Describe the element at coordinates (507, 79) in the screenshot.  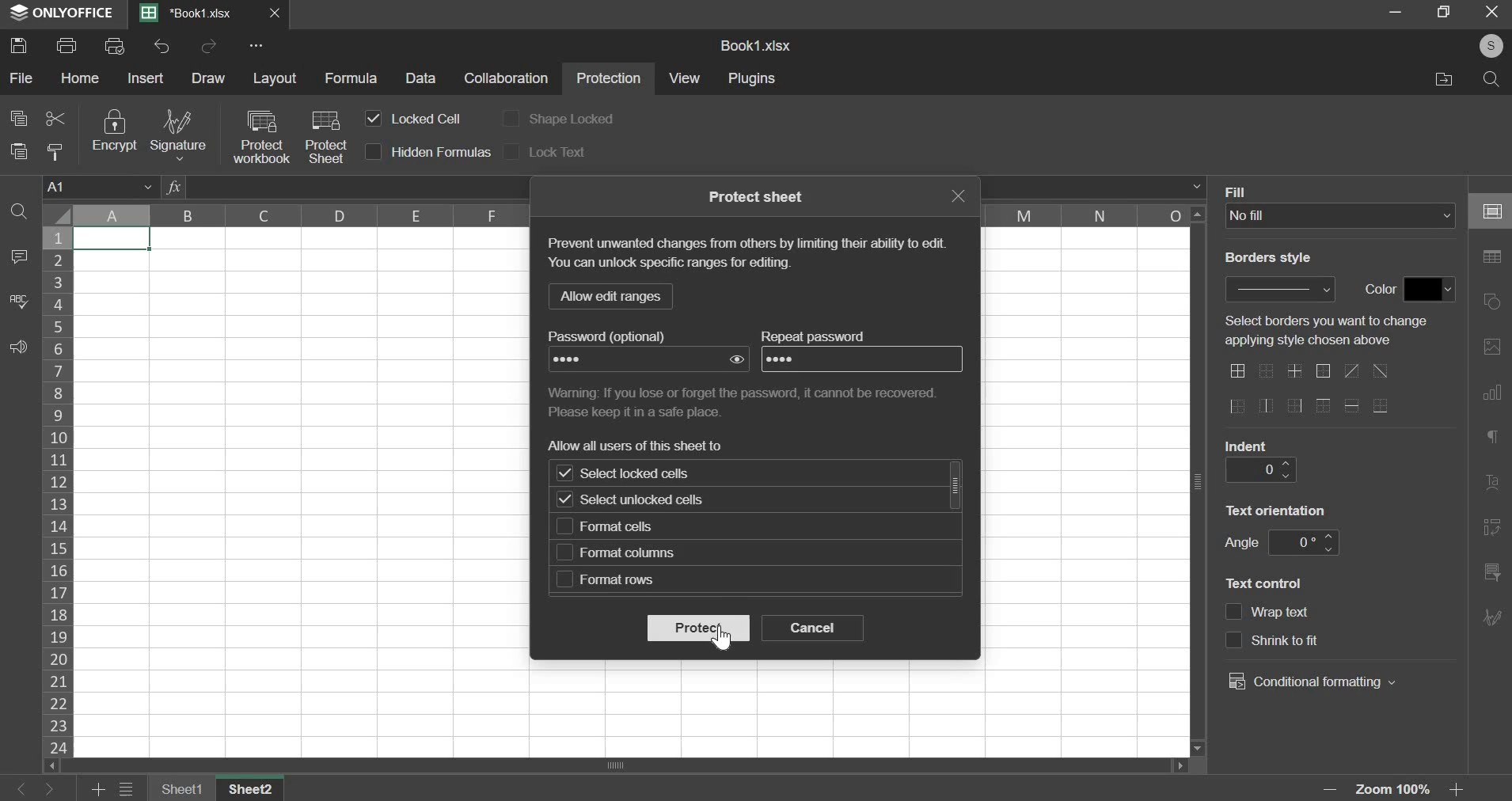
I see `collaboration` at that location.